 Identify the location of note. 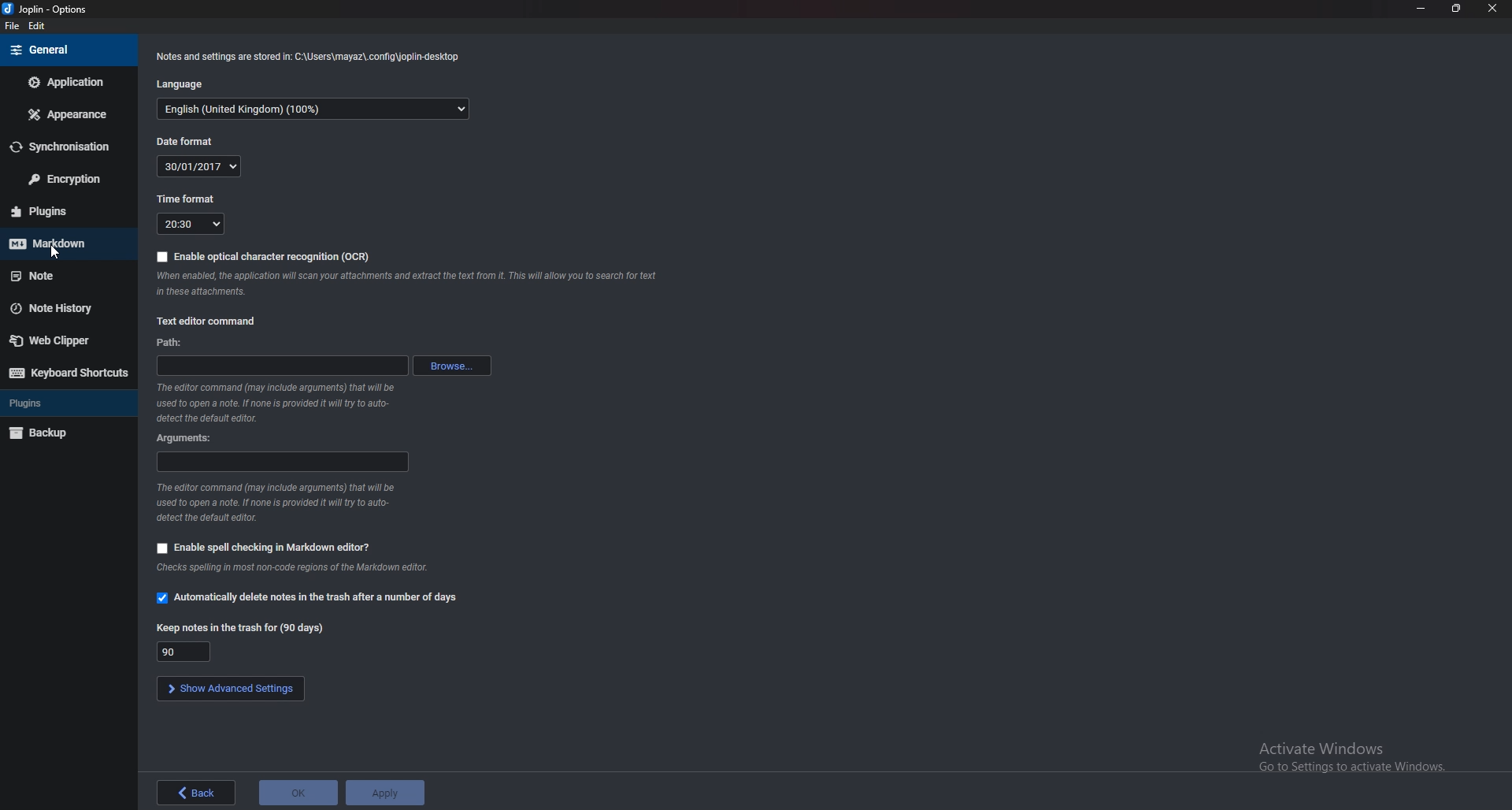
(61, 276).